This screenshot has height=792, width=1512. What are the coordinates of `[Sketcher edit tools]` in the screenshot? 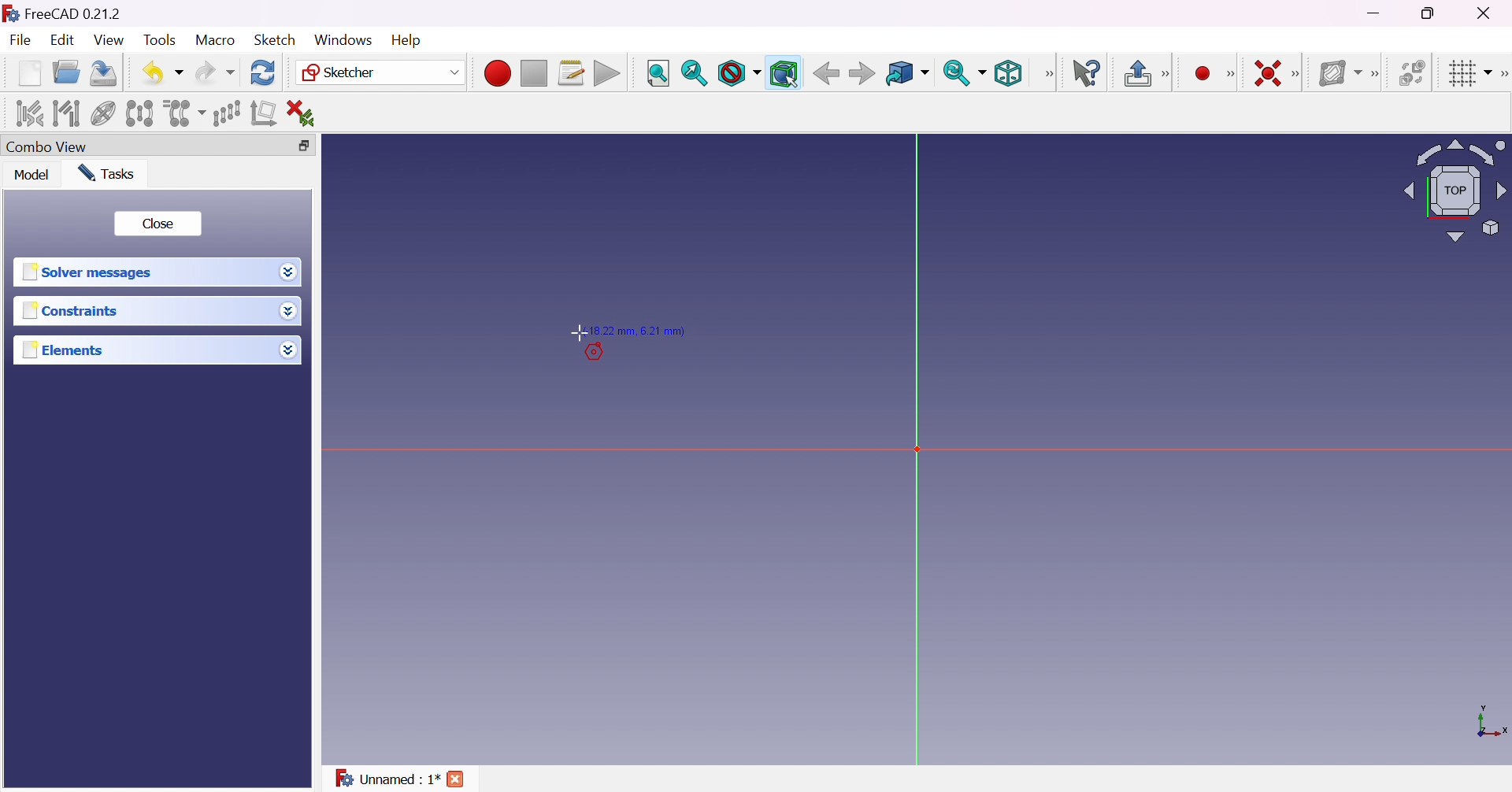 It's located at (1503, 74).